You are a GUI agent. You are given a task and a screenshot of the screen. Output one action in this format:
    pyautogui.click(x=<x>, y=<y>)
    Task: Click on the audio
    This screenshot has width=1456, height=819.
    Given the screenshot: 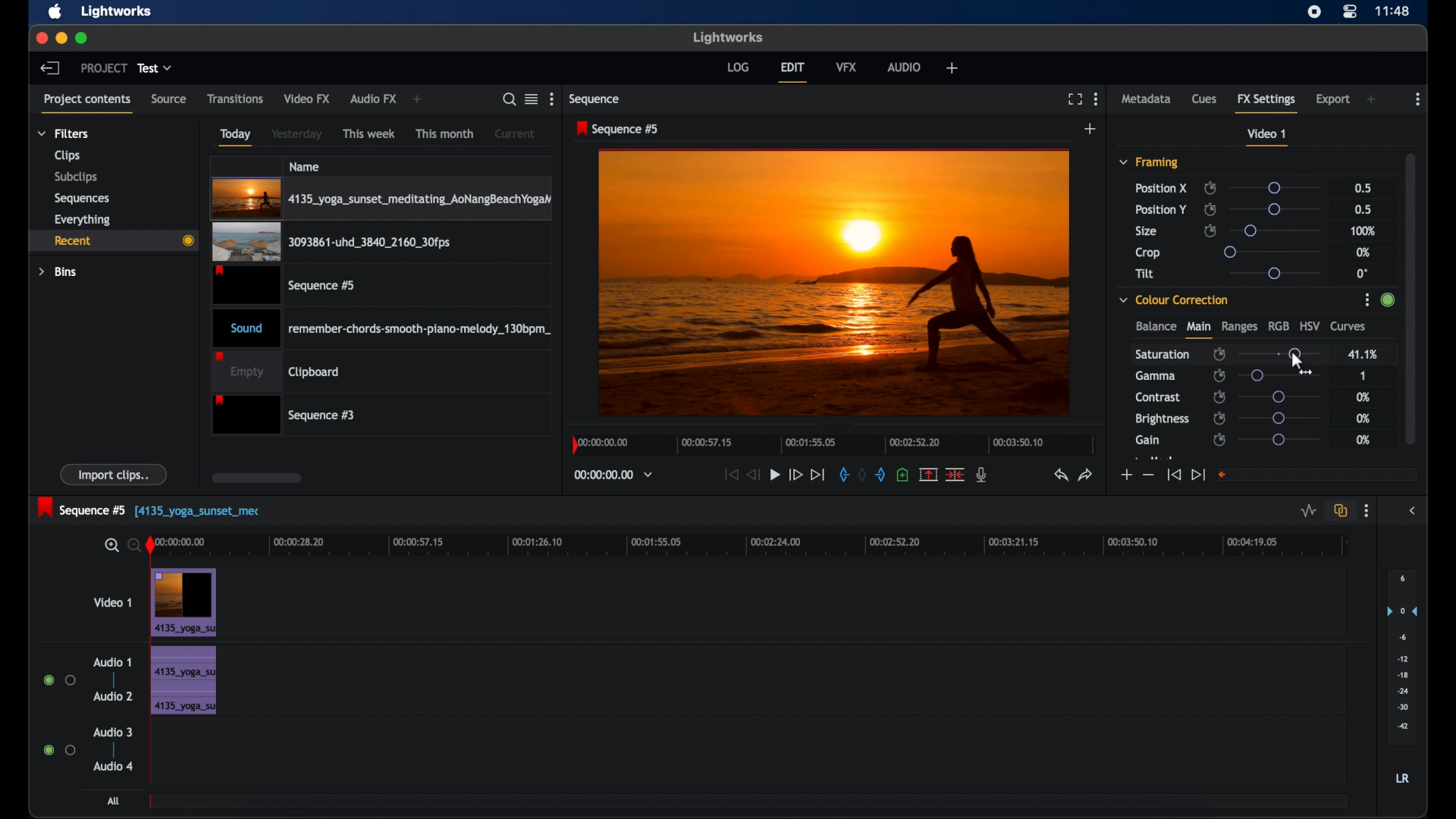 What is the action you would take?
    pyautogui.click(x=905, y=67)
    